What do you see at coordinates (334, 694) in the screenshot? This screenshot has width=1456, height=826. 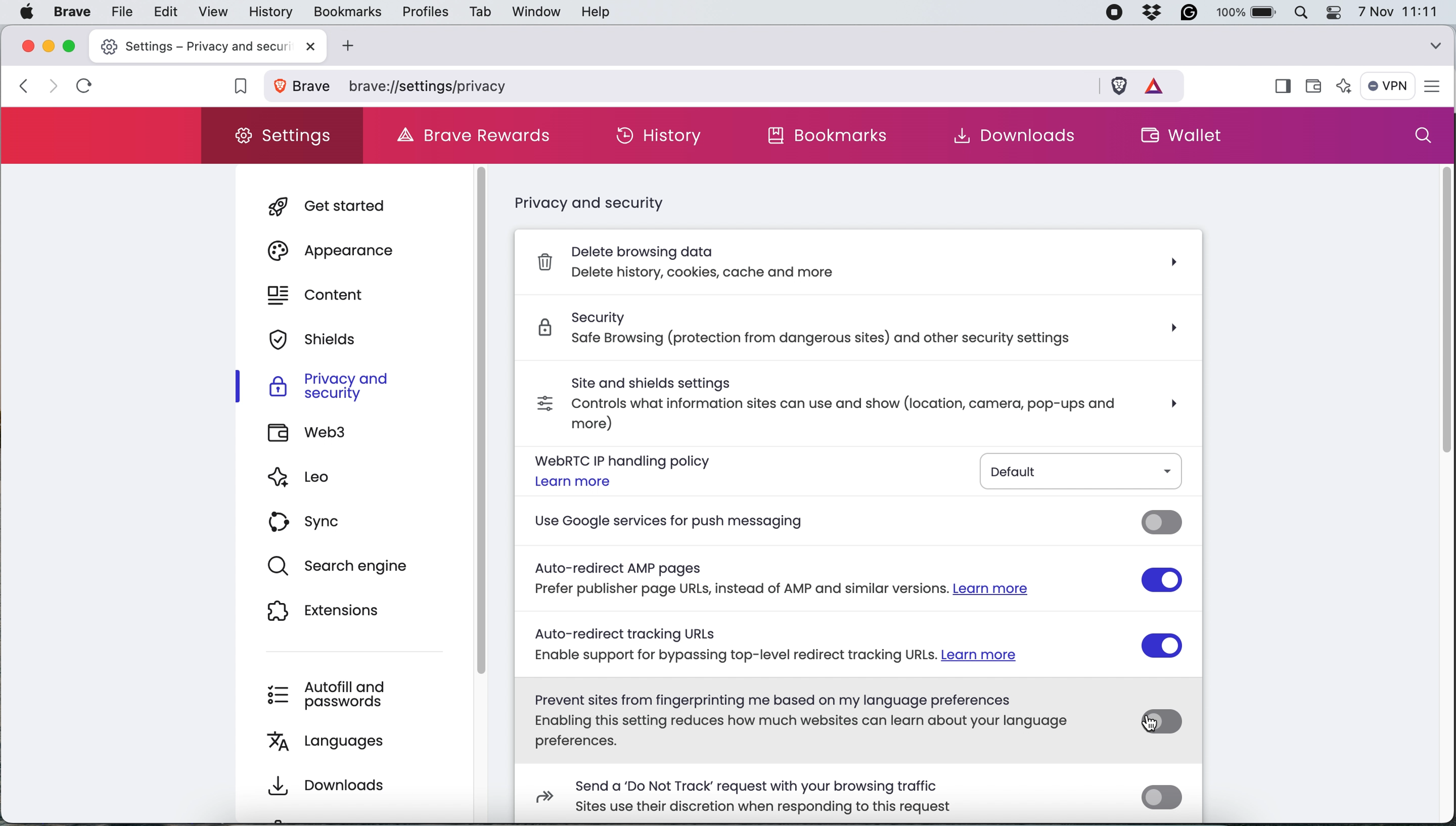 I see `autofill and passwords` at bounding box center [334, 694].